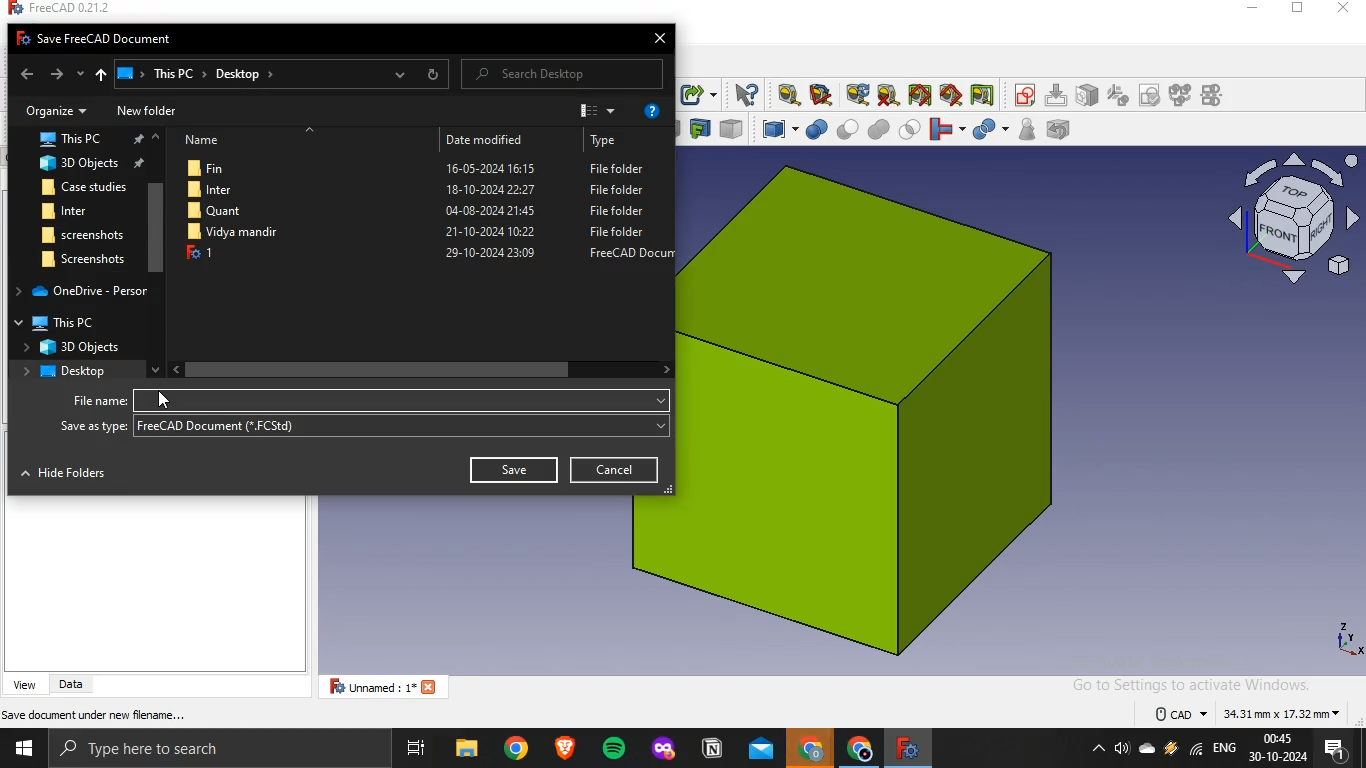  I want to click on show hidden icons , so click(1095, 748).